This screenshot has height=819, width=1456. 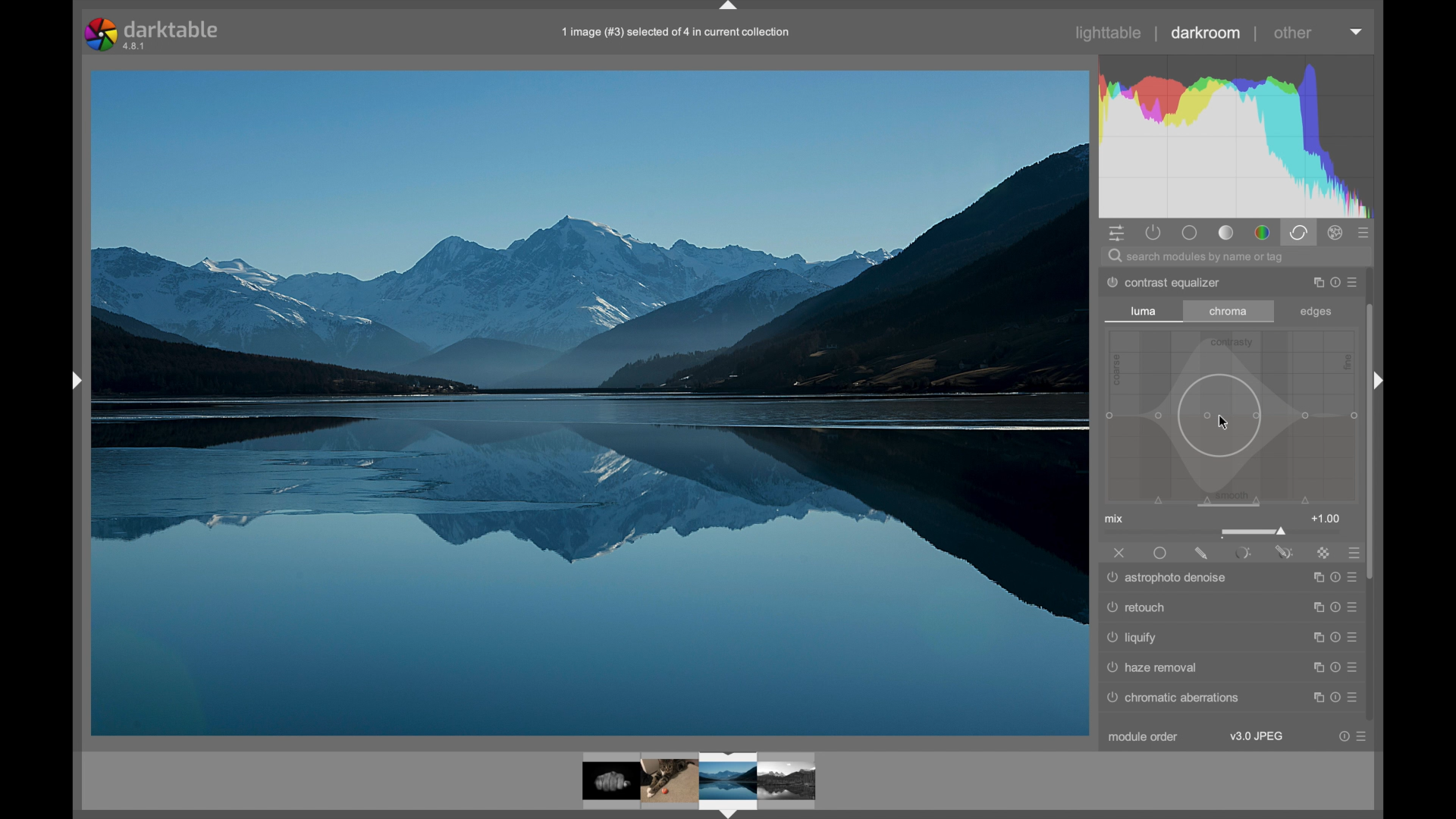 What do you see at coordinates (1257, 736) in the screenshot?
I see `v3.0 jpeg` at bounding box center [1257, 736].